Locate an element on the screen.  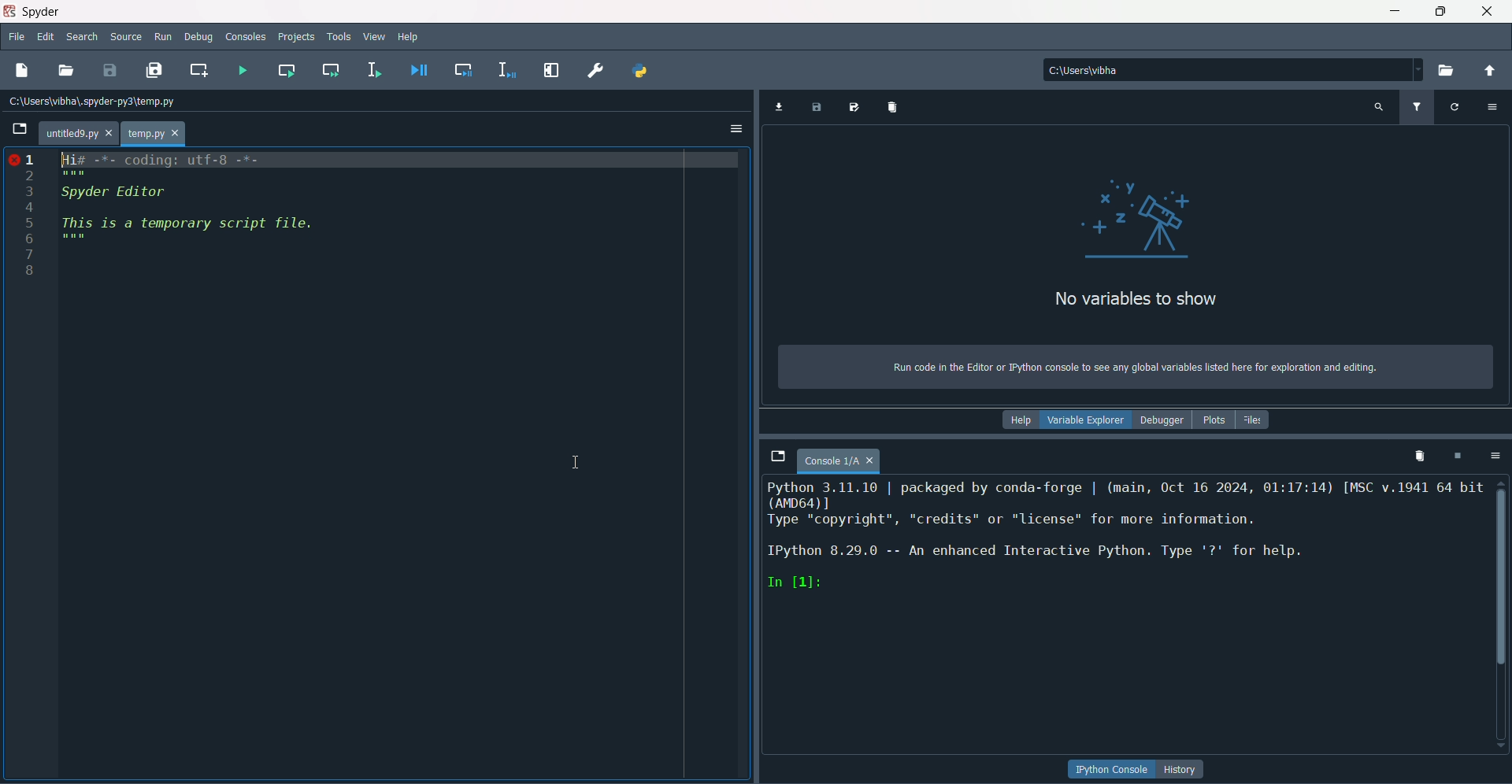
file is located at coordinates (17, 37).